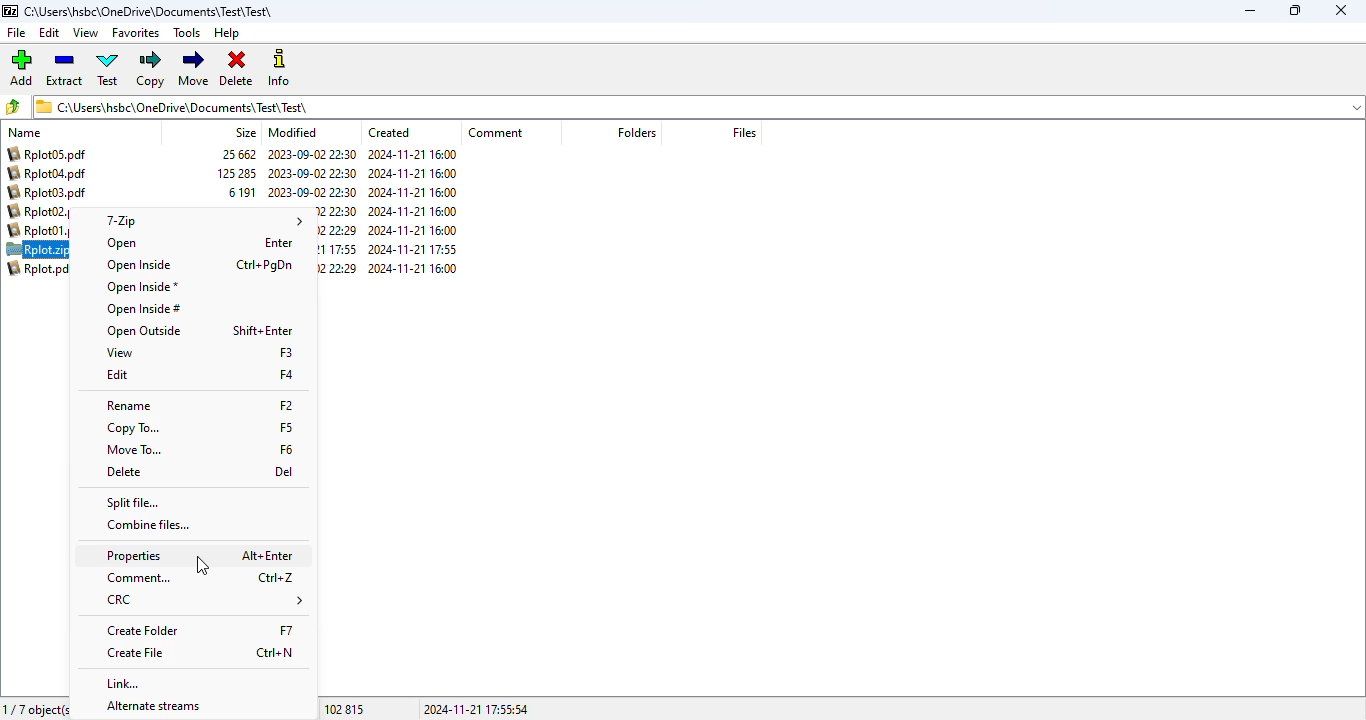 Image resolution: width=1366 pixels, height=720 pixels. Describe the element at coordinates (143, 631) in the screenshot. I see `create folder` at that location.